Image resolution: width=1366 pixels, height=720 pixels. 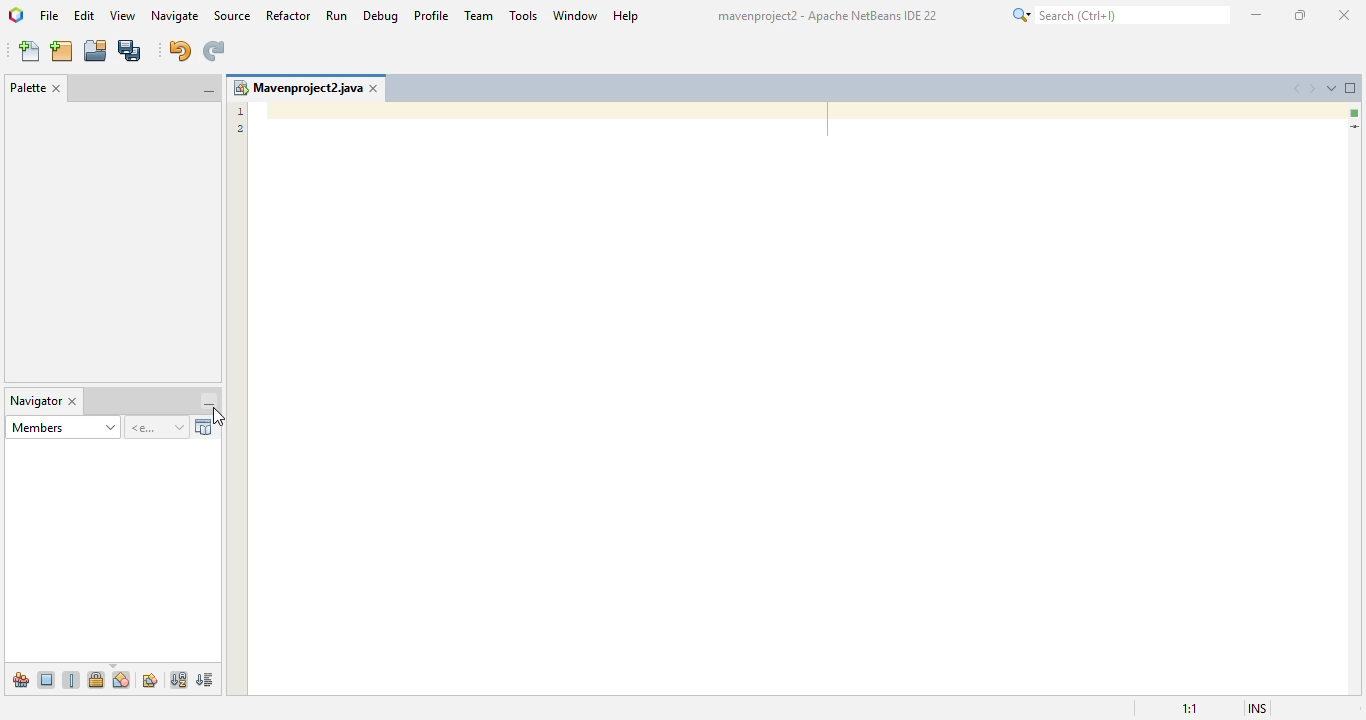 What do you see at coordinates (62, 51) in the screenshot?
I see `new project` at bounding box center [62, 51].